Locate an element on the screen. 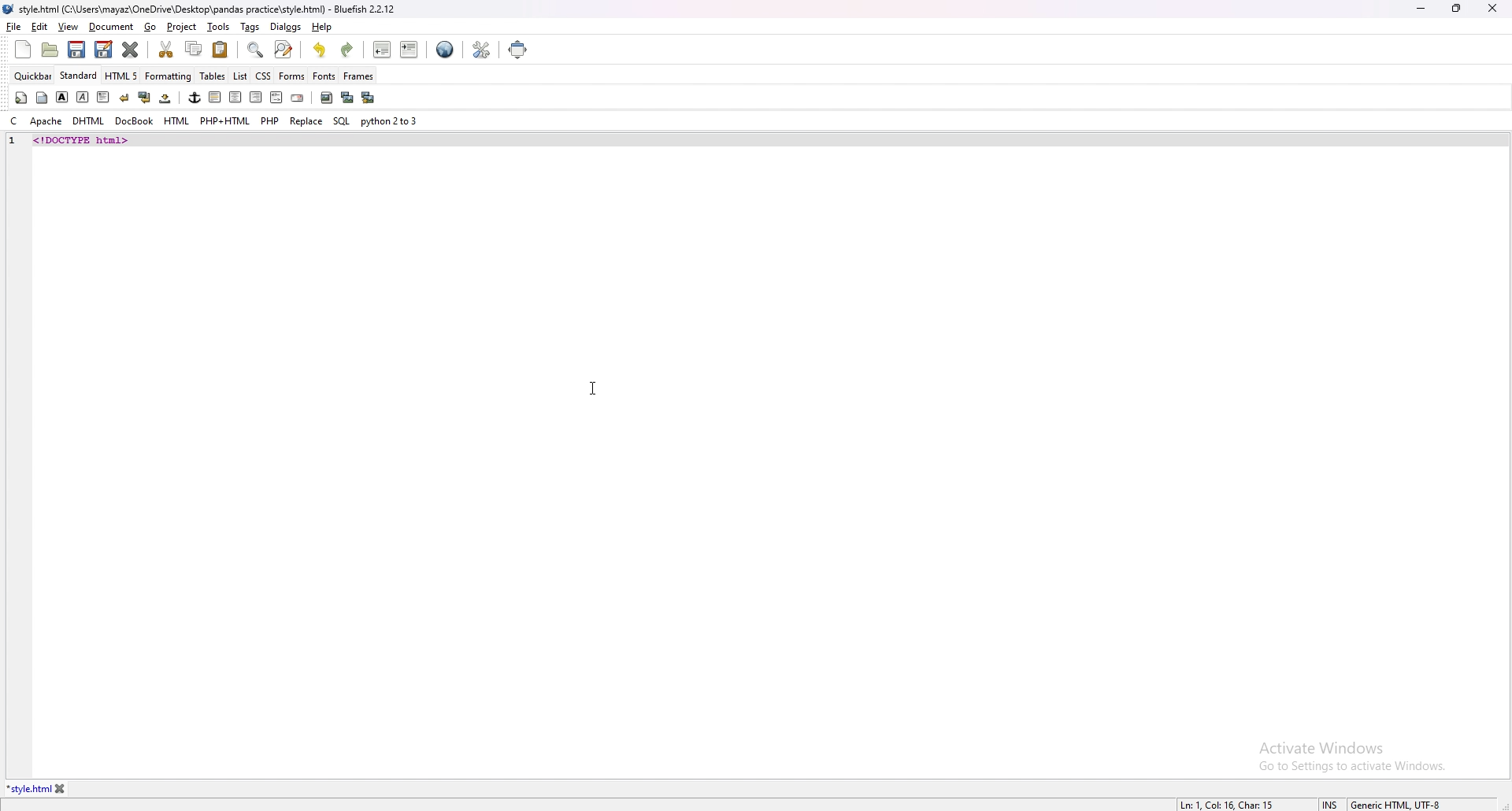 This screenshot has width=1512, height=811. php is located at coordinates (270, 120).